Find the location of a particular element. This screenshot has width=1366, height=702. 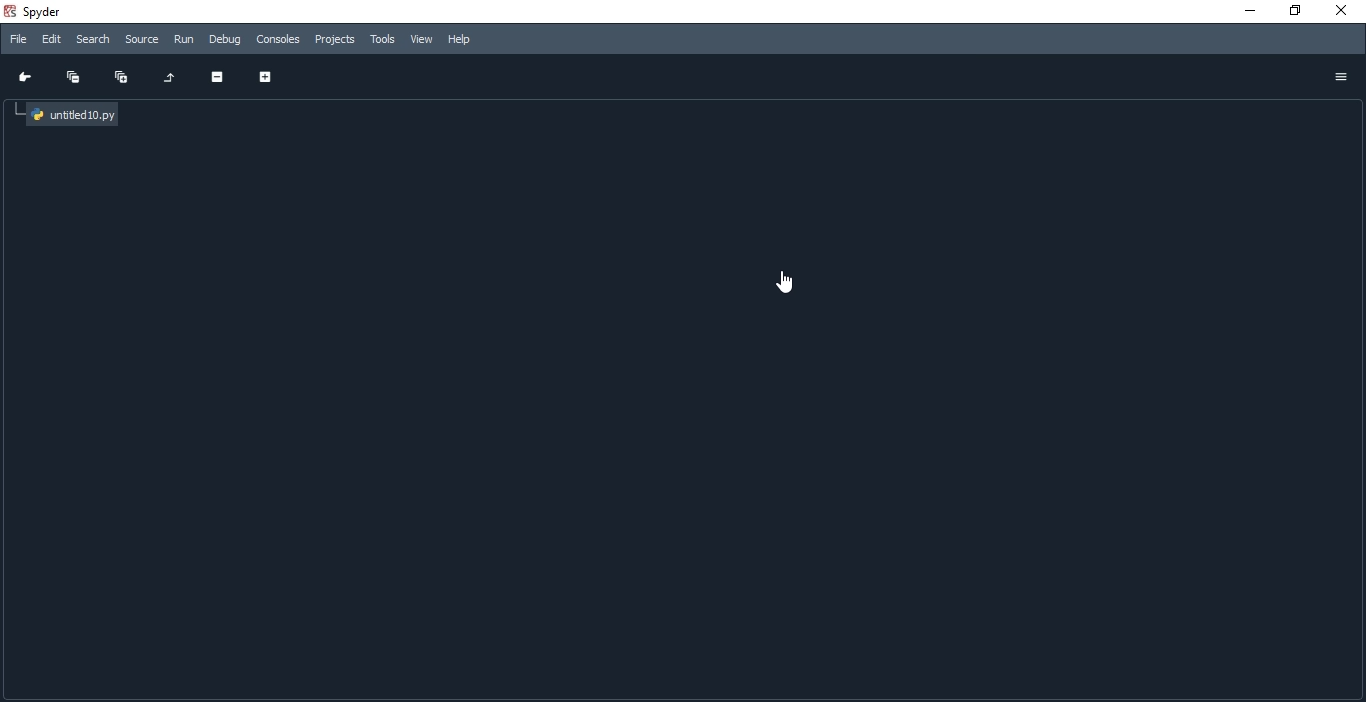

Collapse section is located at coordinates (217, 79).